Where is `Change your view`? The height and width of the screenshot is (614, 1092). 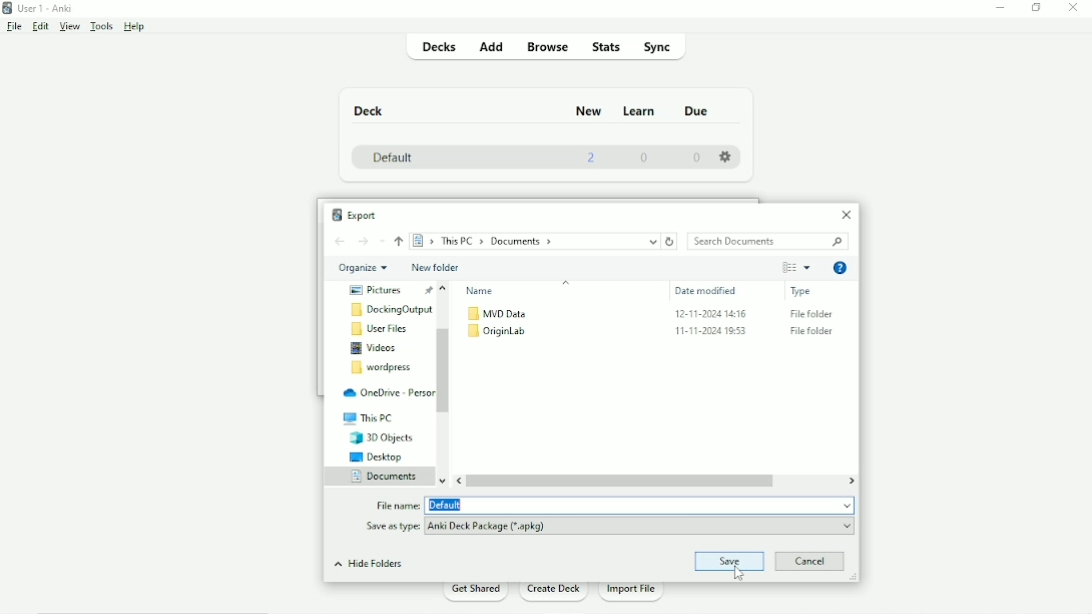
Change your view is located at coordinates (784, 267).